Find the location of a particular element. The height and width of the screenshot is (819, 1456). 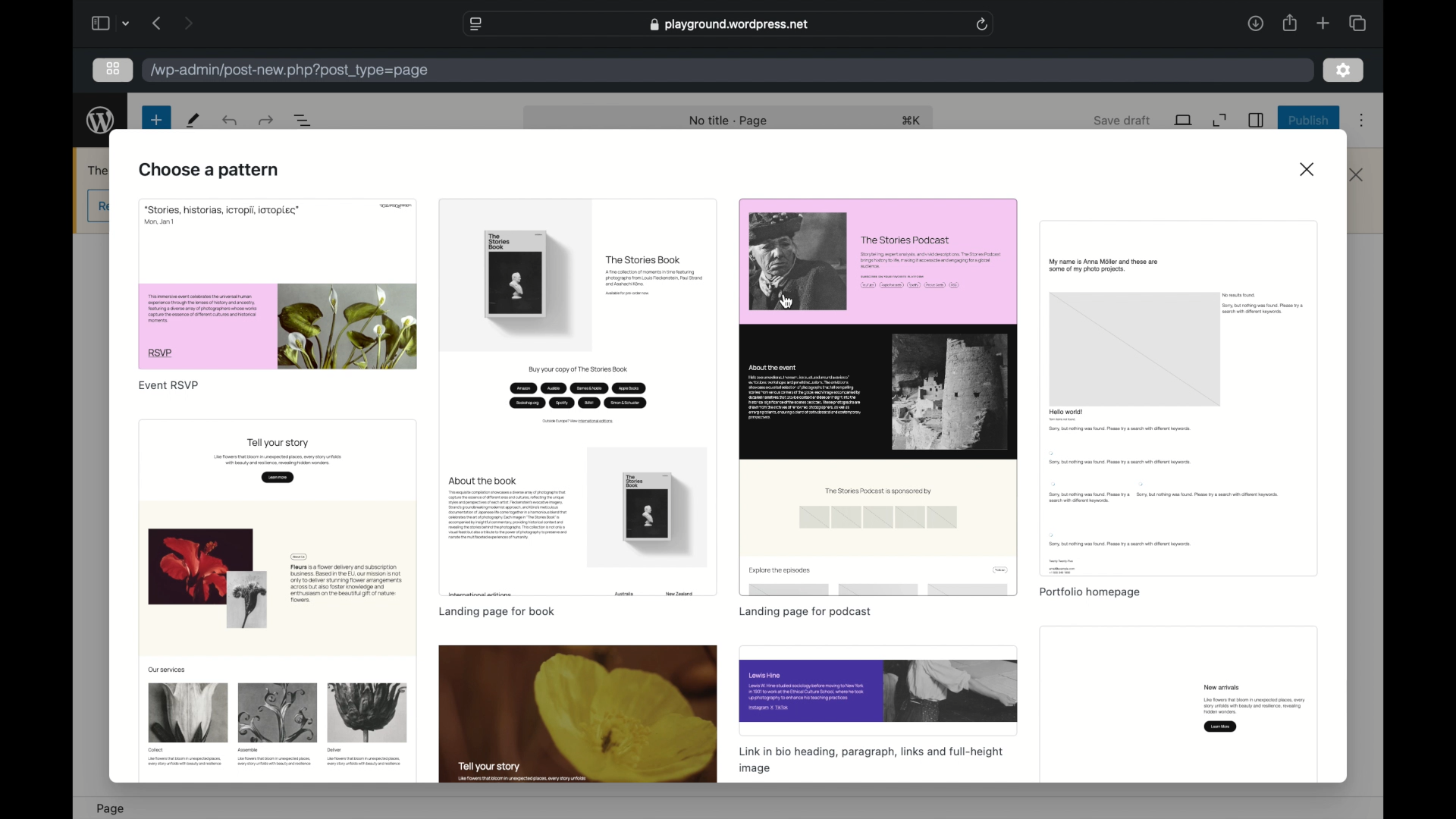

expand is located at coordinates (1220, 120).